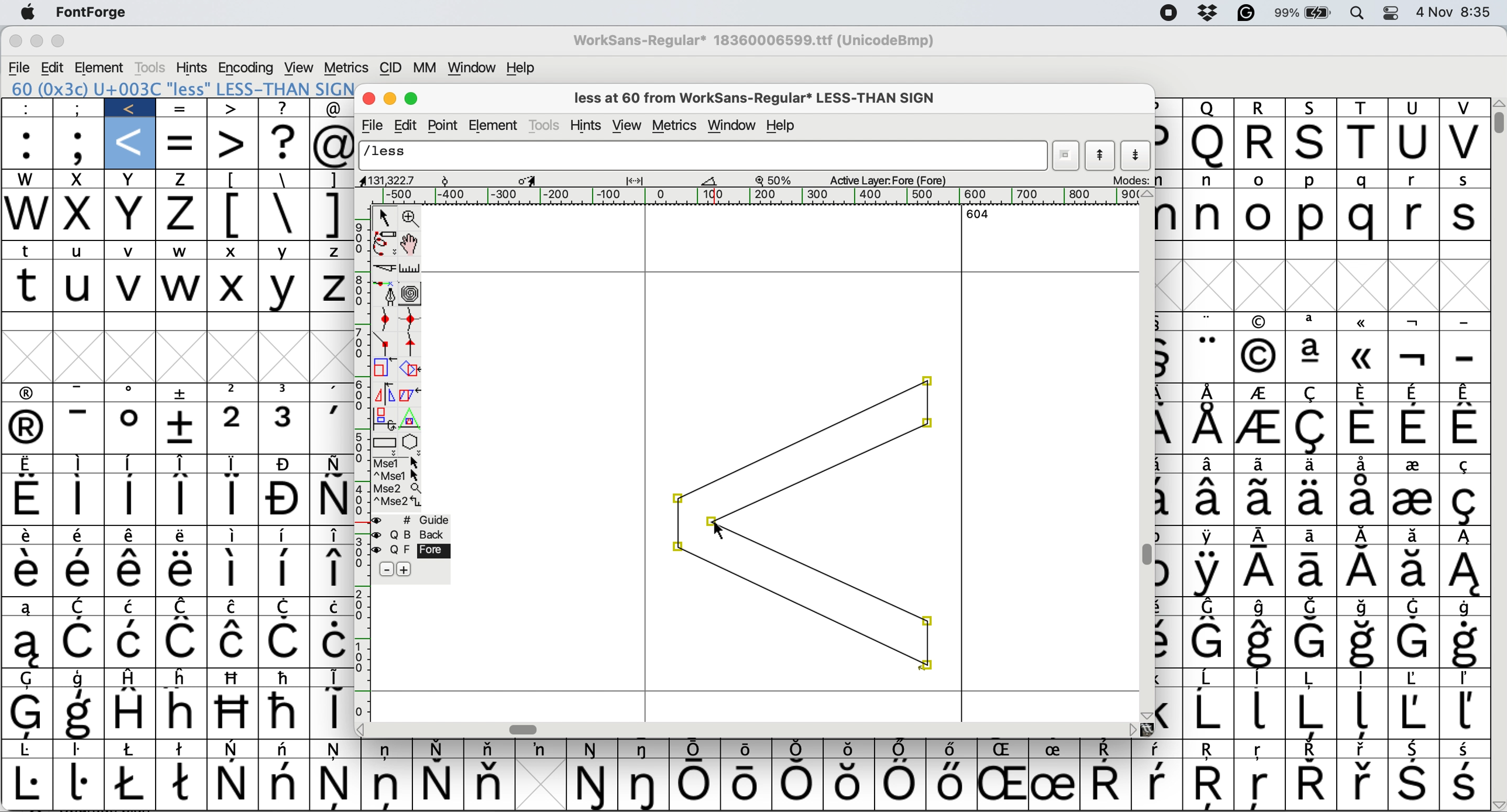 This screenshot has height=812, width=1507. I want to click on n, so click(1210, 215).